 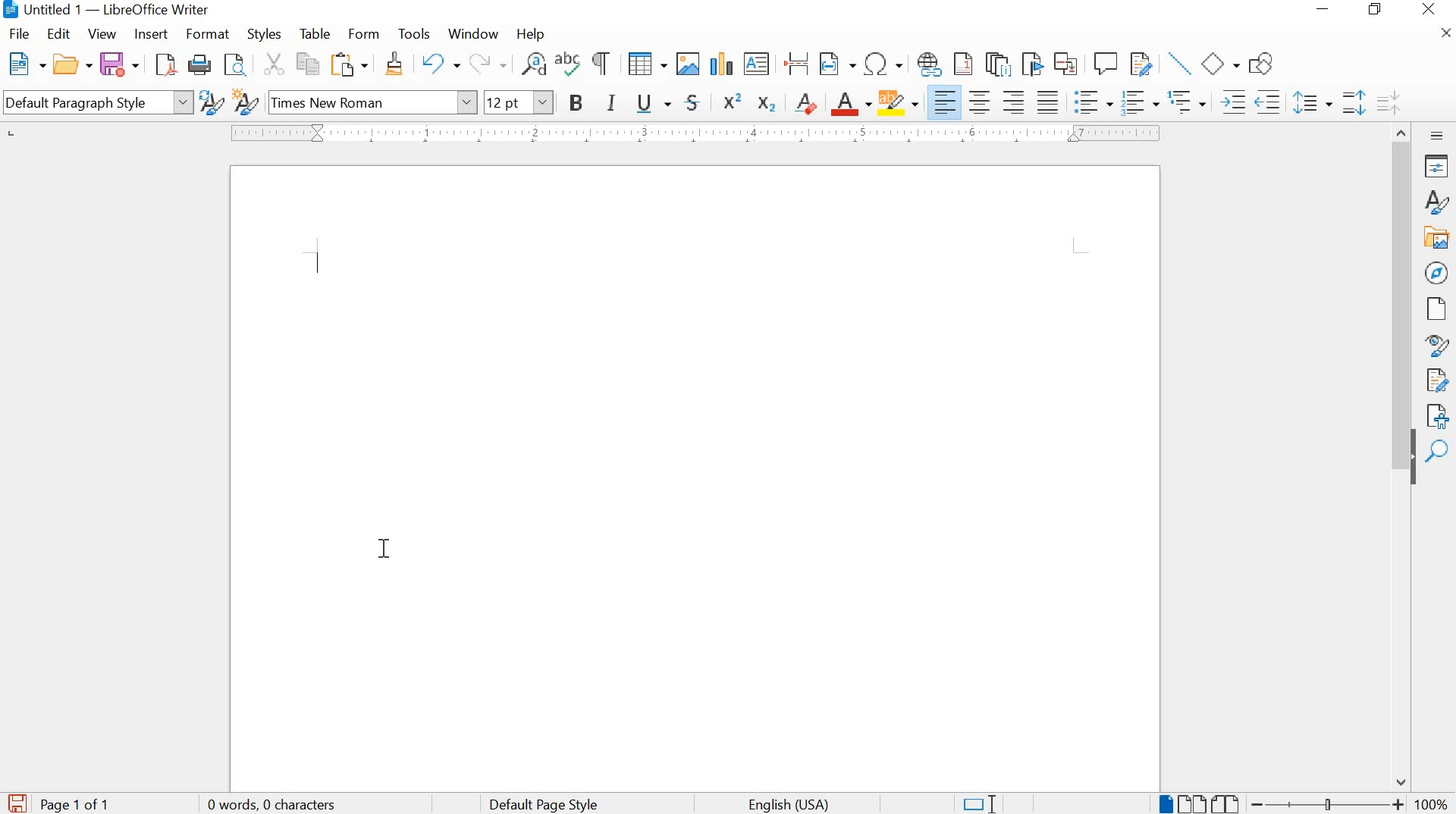 I want to click on INSERT HYPERLINK, so click(x=929, y=64).